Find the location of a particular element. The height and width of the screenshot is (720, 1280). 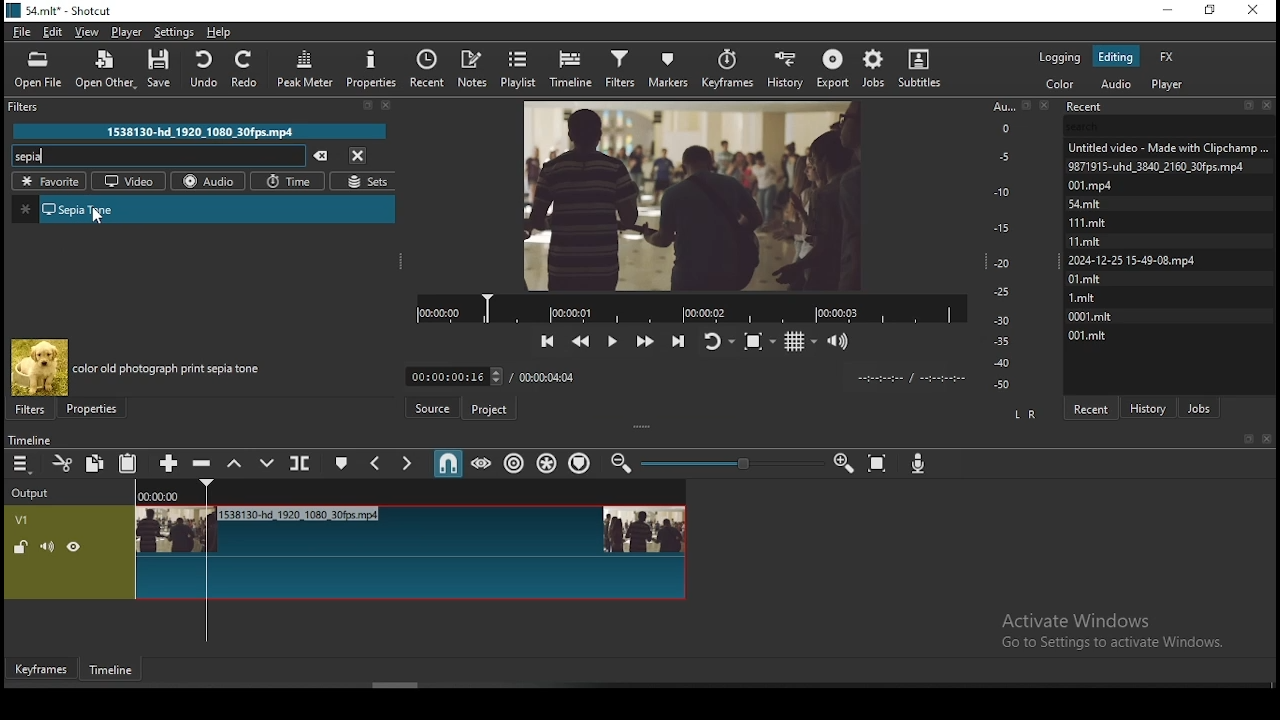

previous marker is located at coordinates (375, 463).